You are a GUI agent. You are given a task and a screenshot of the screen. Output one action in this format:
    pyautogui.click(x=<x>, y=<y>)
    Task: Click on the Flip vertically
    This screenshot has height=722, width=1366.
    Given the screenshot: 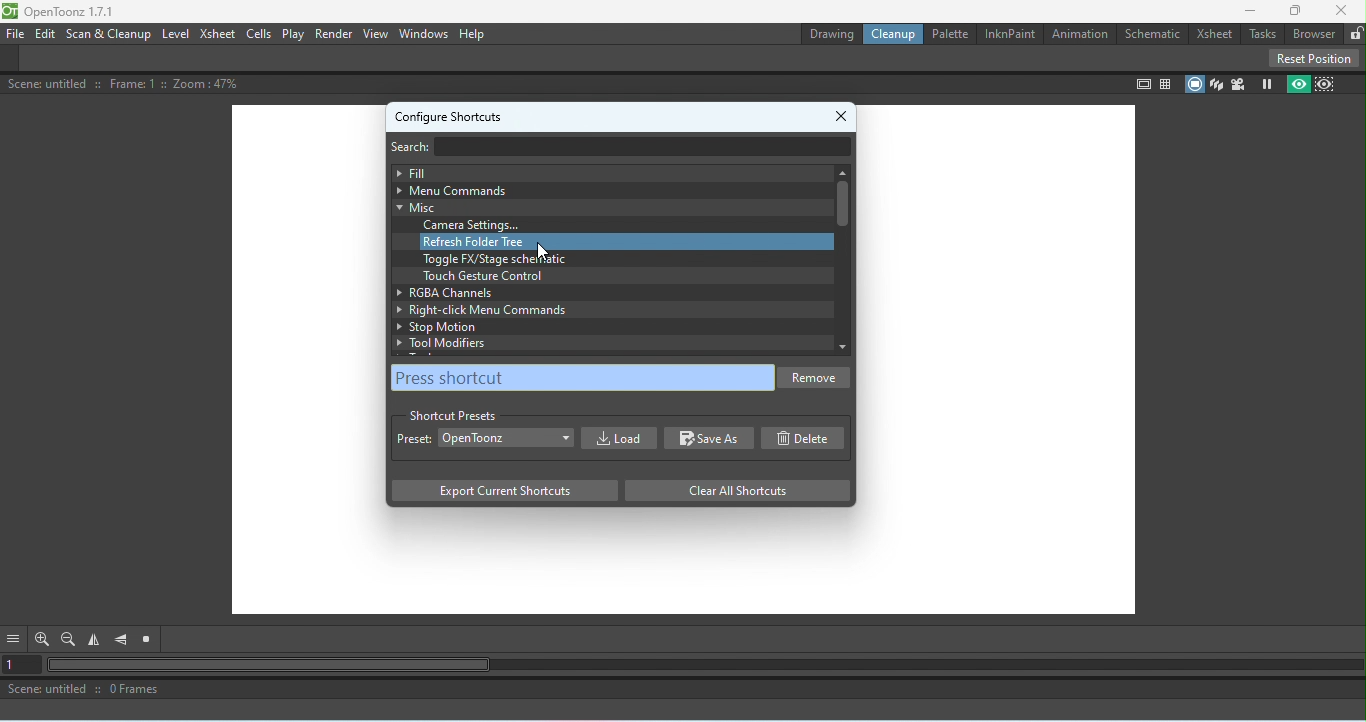 What is the action you would take?
    pyautogui.click(x=122, y=640)
    